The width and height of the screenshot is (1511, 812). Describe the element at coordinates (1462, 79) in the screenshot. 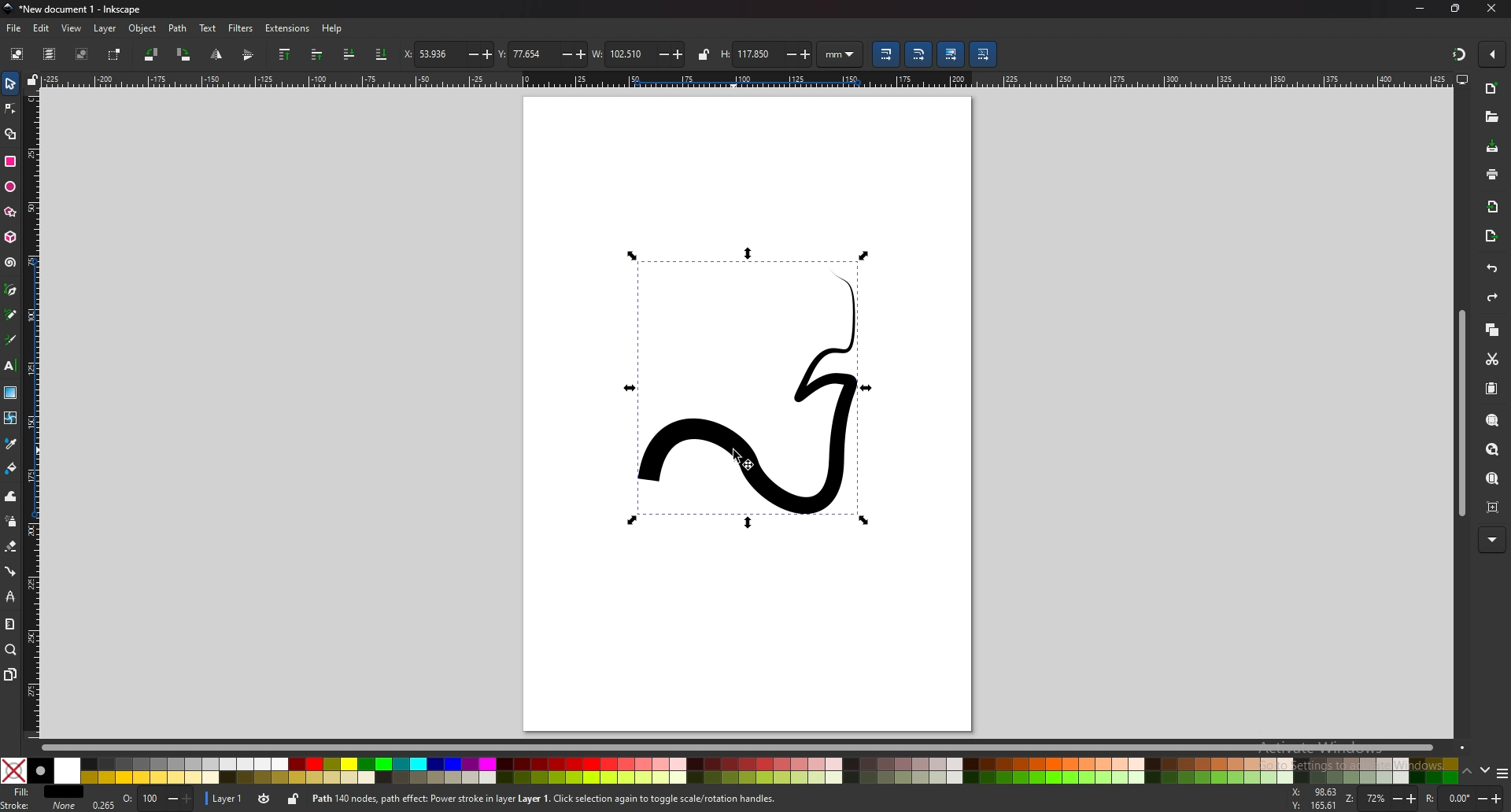

I see `display options` at that location.